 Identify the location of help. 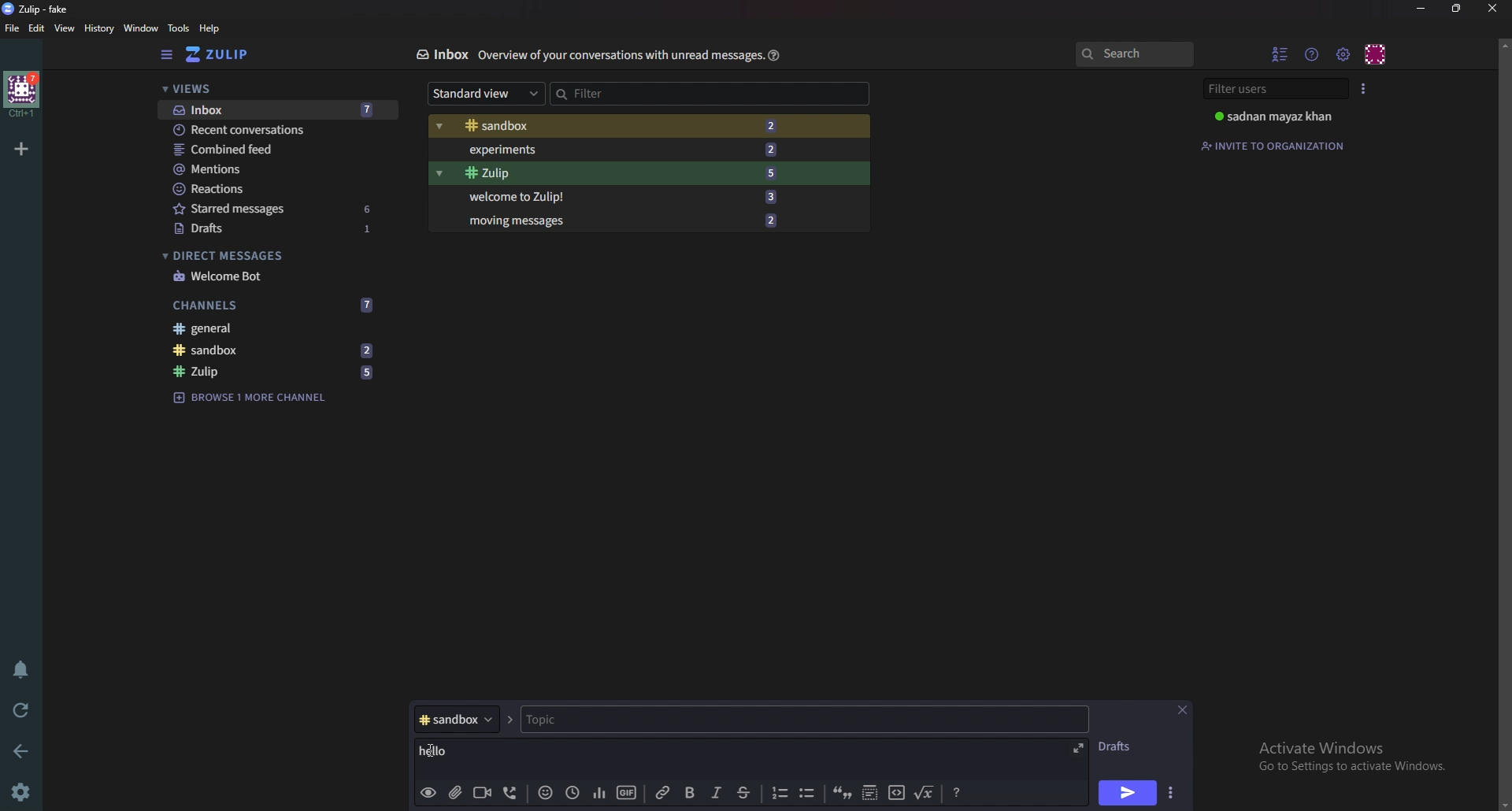
(210, 28).